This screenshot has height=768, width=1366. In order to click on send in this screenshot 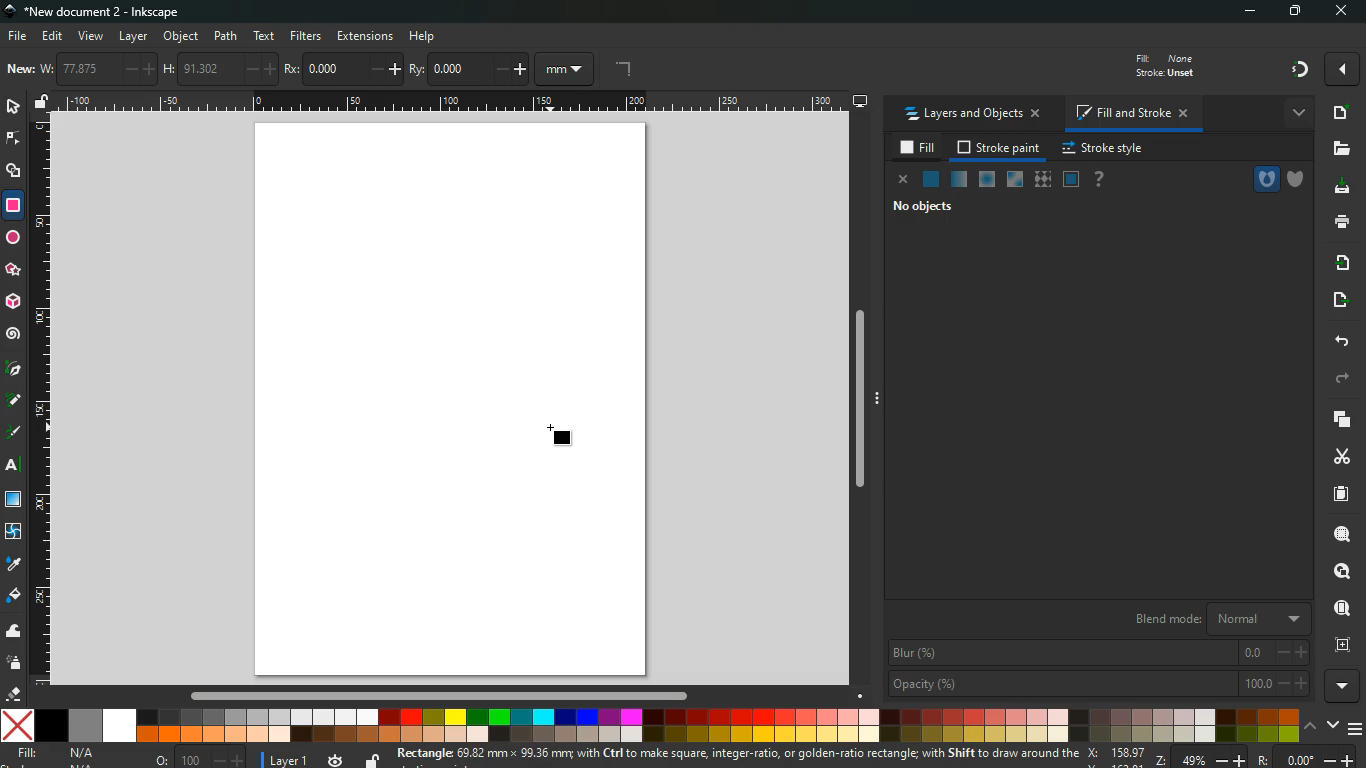, I will do `click(1339, 302)`.